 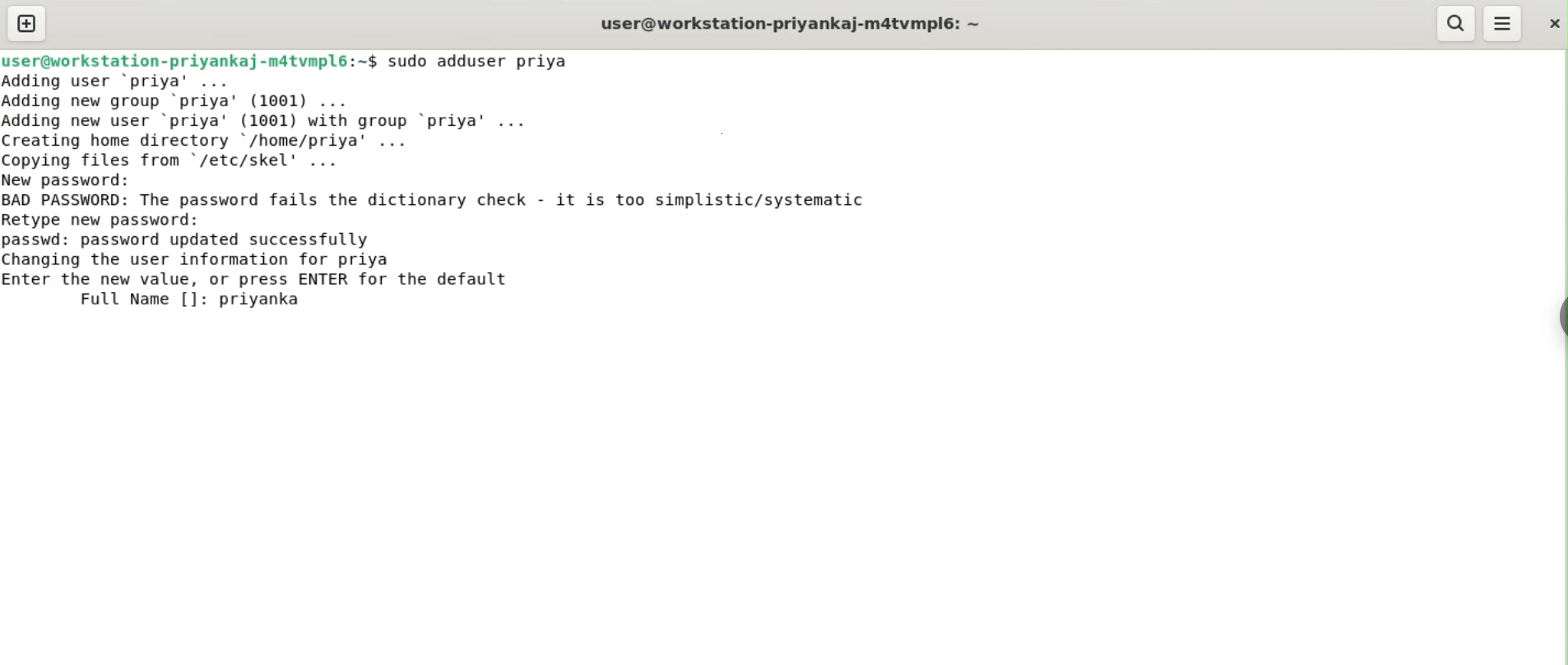 I want to click on menu, so click(x=1504, y=24).